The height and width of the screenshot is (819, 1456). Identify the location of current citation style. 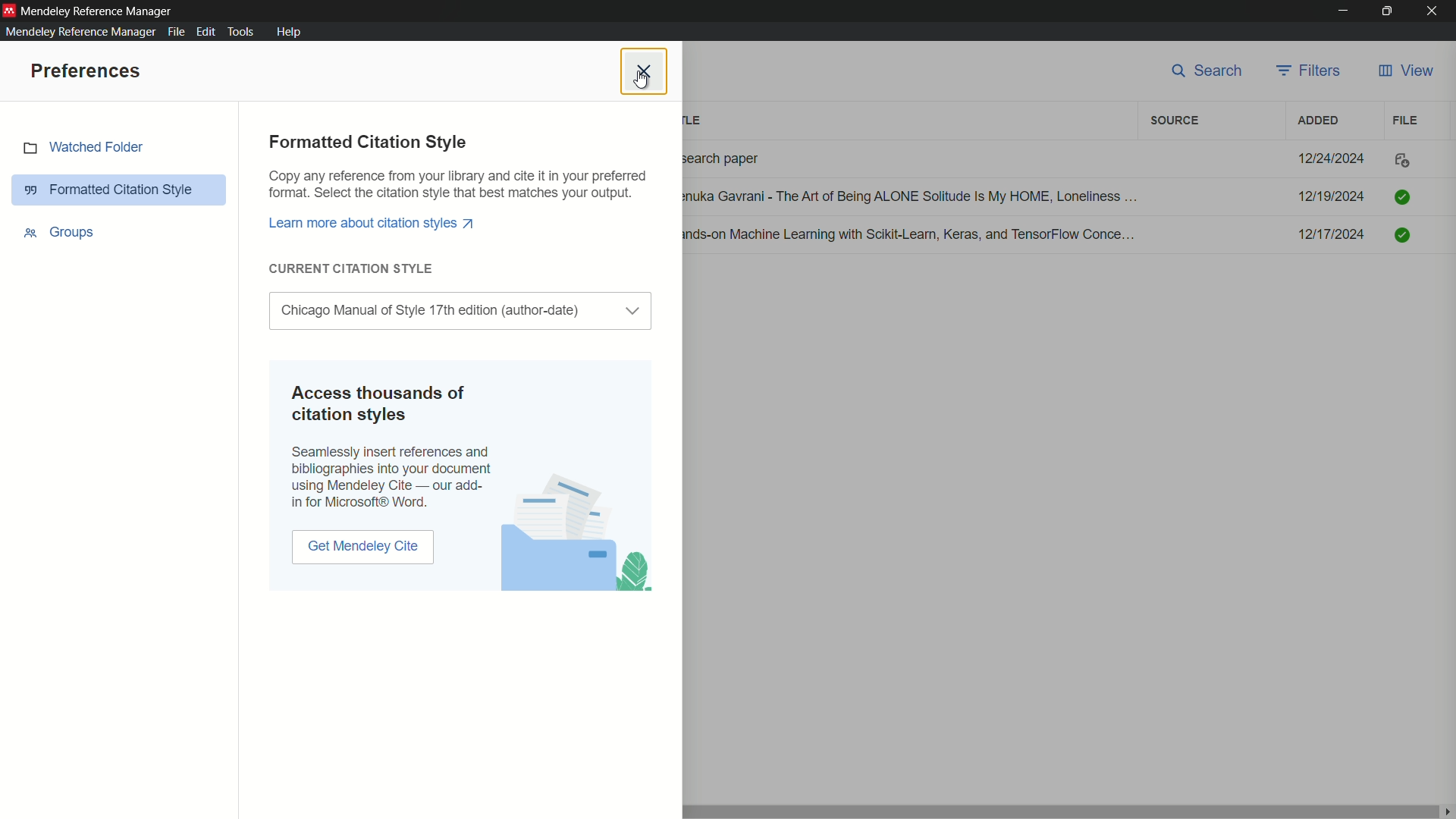
(353, 268).